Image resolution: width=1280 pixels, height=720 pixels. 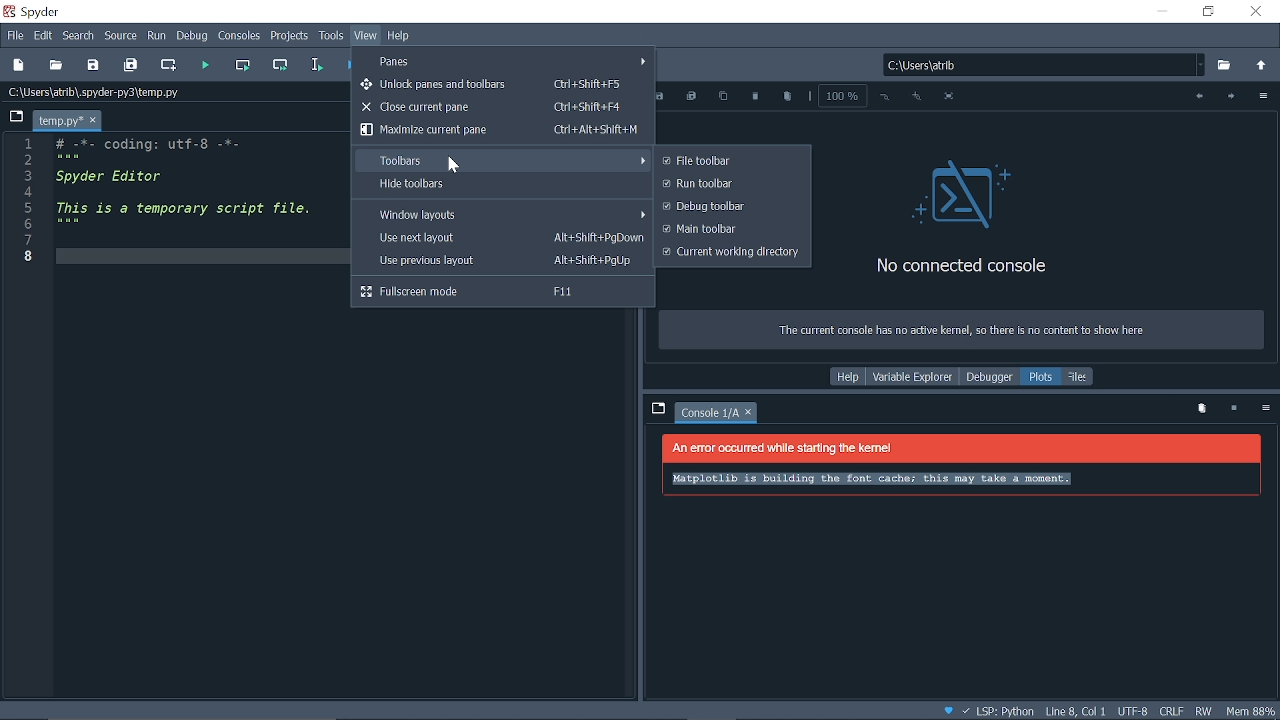 What do you see at coordinates (32, 199) in the screenshot?
I see `Code line no.s` at bounding box center [32, 199].